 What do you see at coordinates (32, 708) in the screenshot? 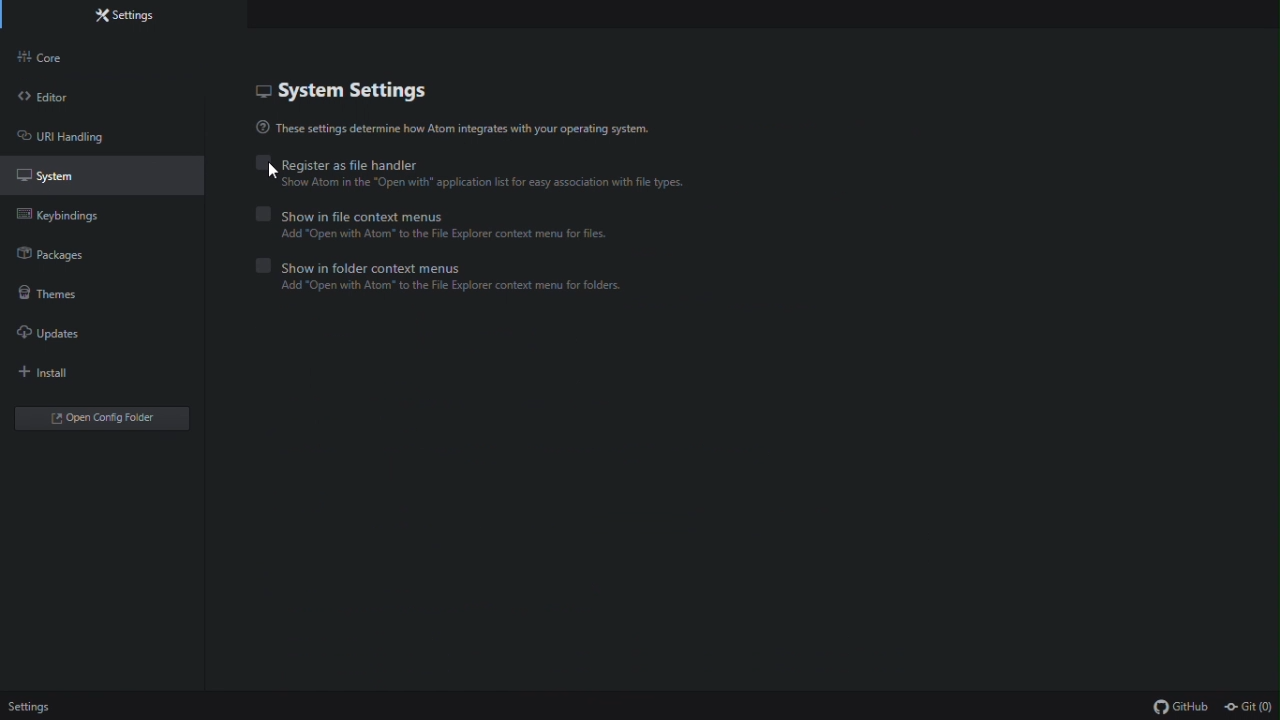
I see `settings` at bounding box center [32, 708].